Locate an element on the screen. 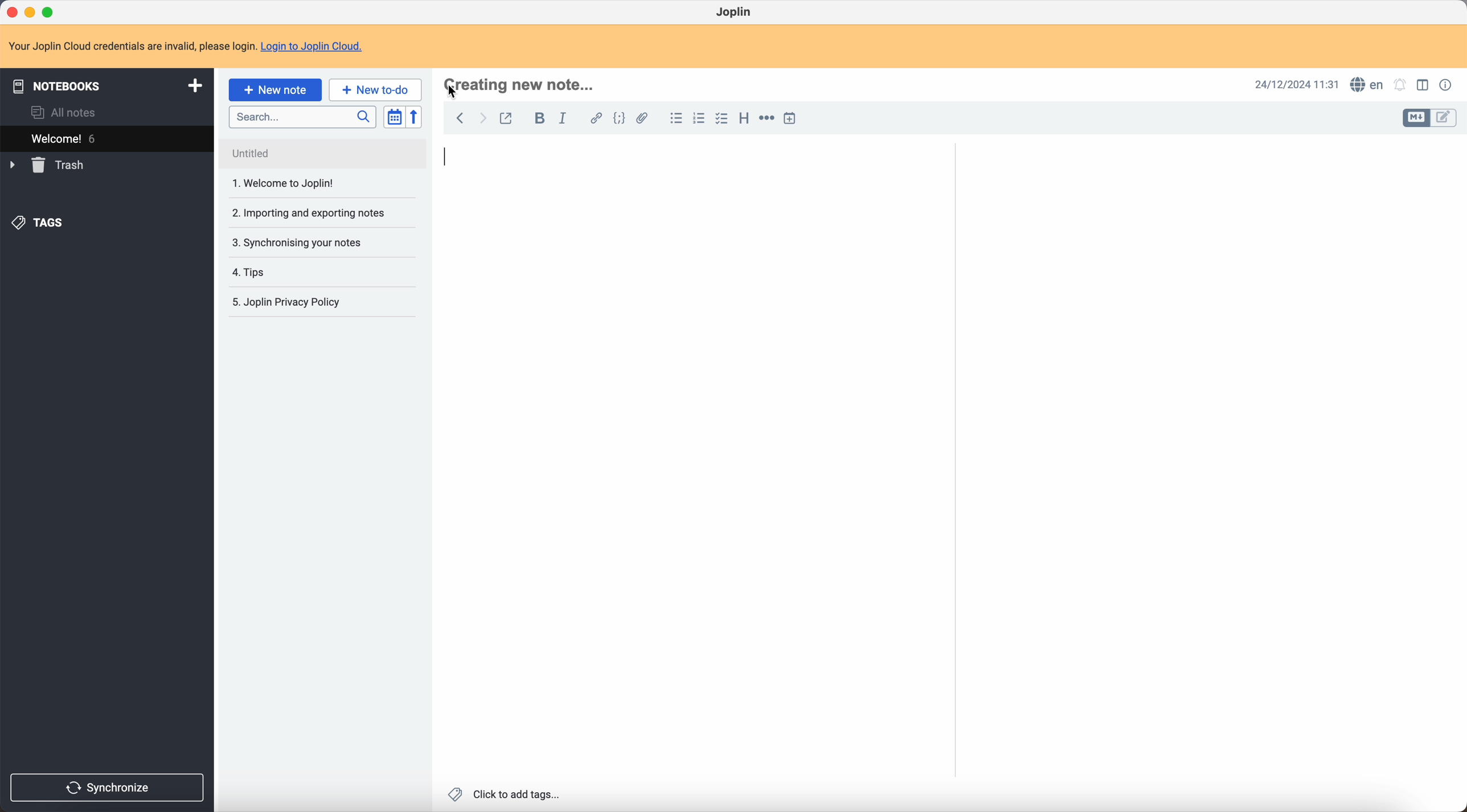  scroll bar is located at coordinates (1458, 255).